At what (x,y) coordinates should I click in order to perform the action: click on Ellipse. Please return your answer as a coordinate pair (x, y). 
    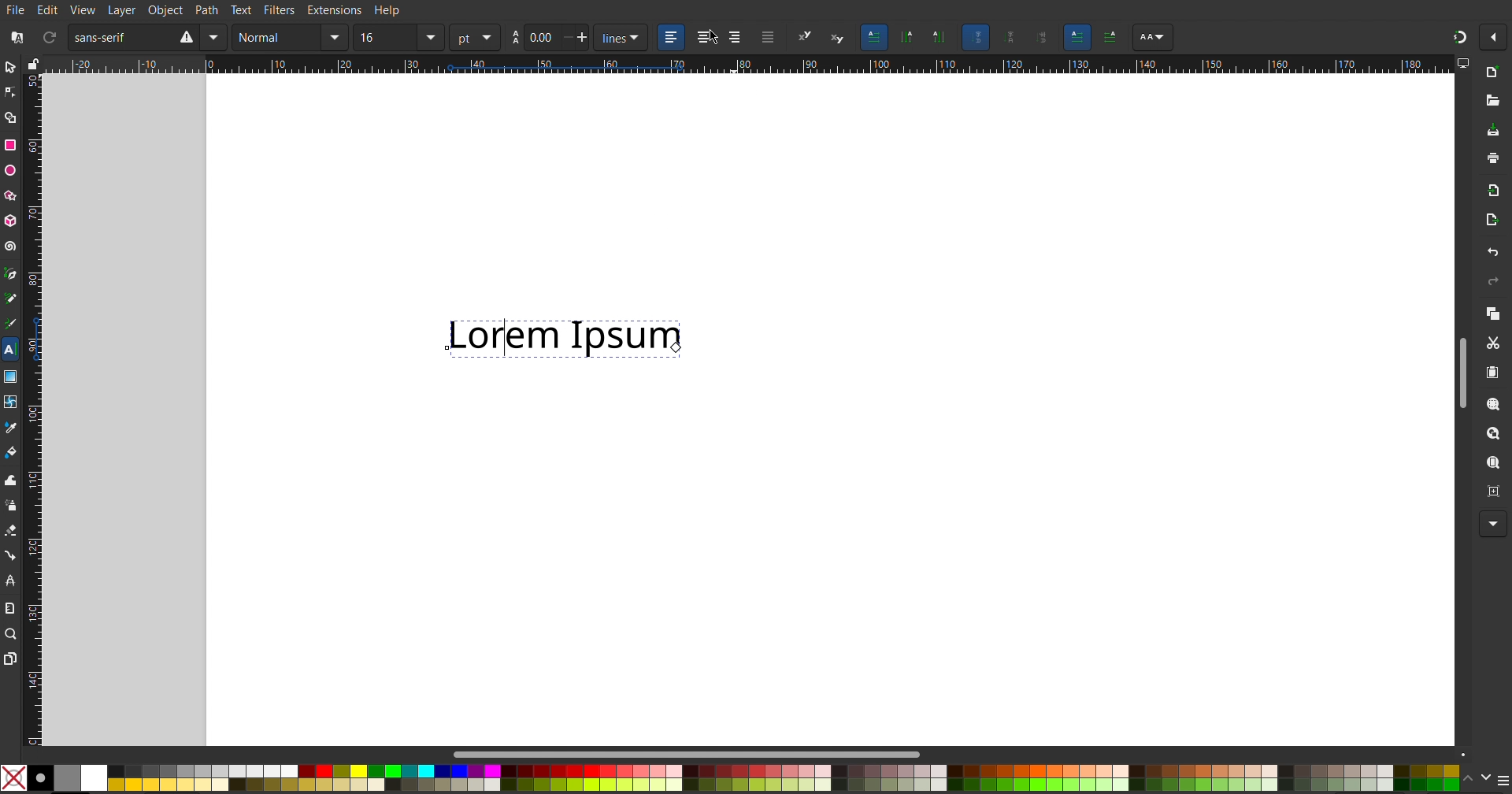
    Looking at the image, I should click on (11, 172).